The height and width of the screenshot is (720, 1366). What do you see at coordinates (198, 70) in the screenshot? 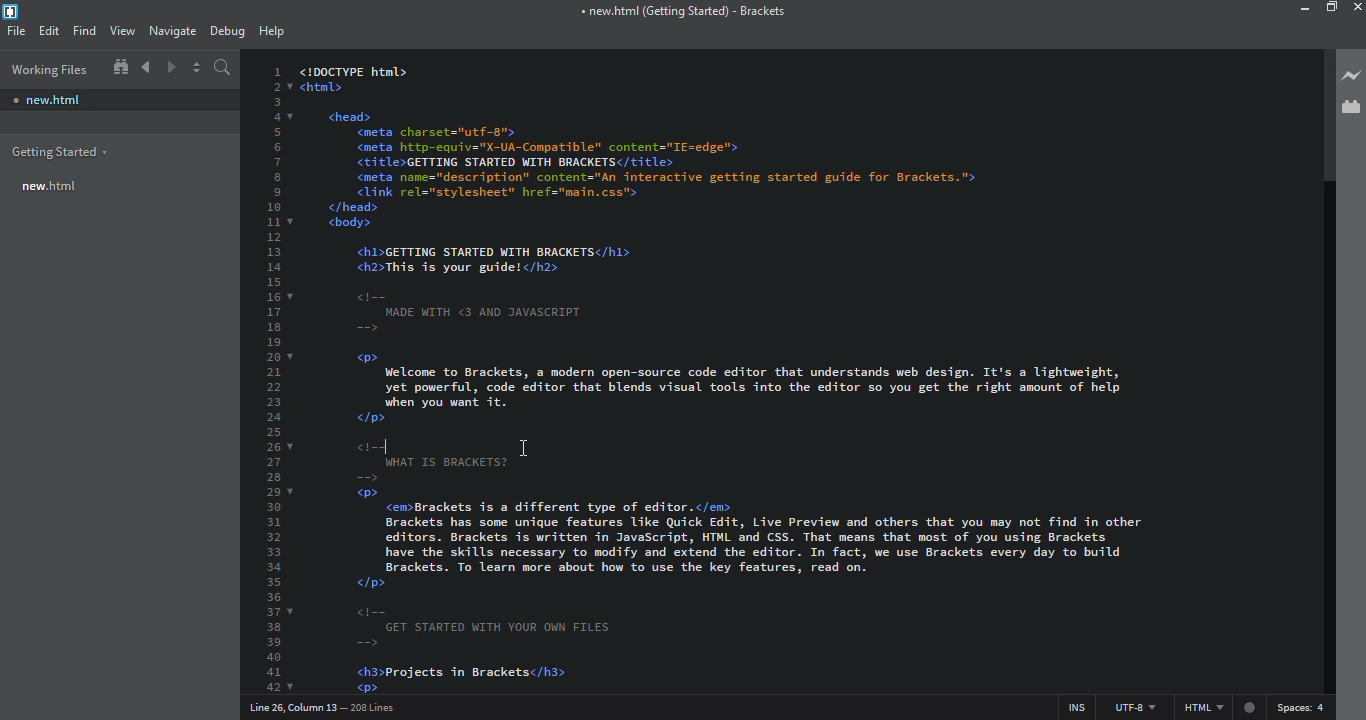
I see `split editor` at bounding box center [198, 70].